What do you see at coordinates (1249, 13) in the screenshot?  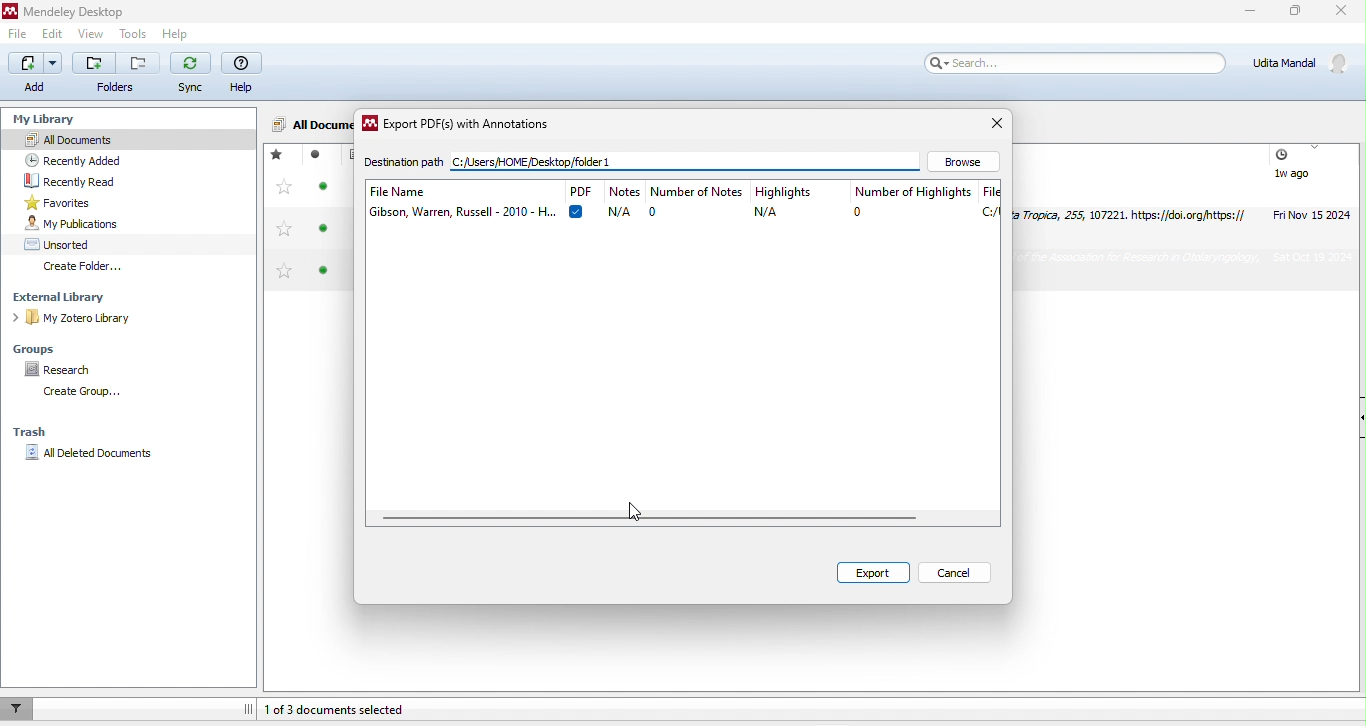 I see `minimize` at bounding box center [1249, 13].